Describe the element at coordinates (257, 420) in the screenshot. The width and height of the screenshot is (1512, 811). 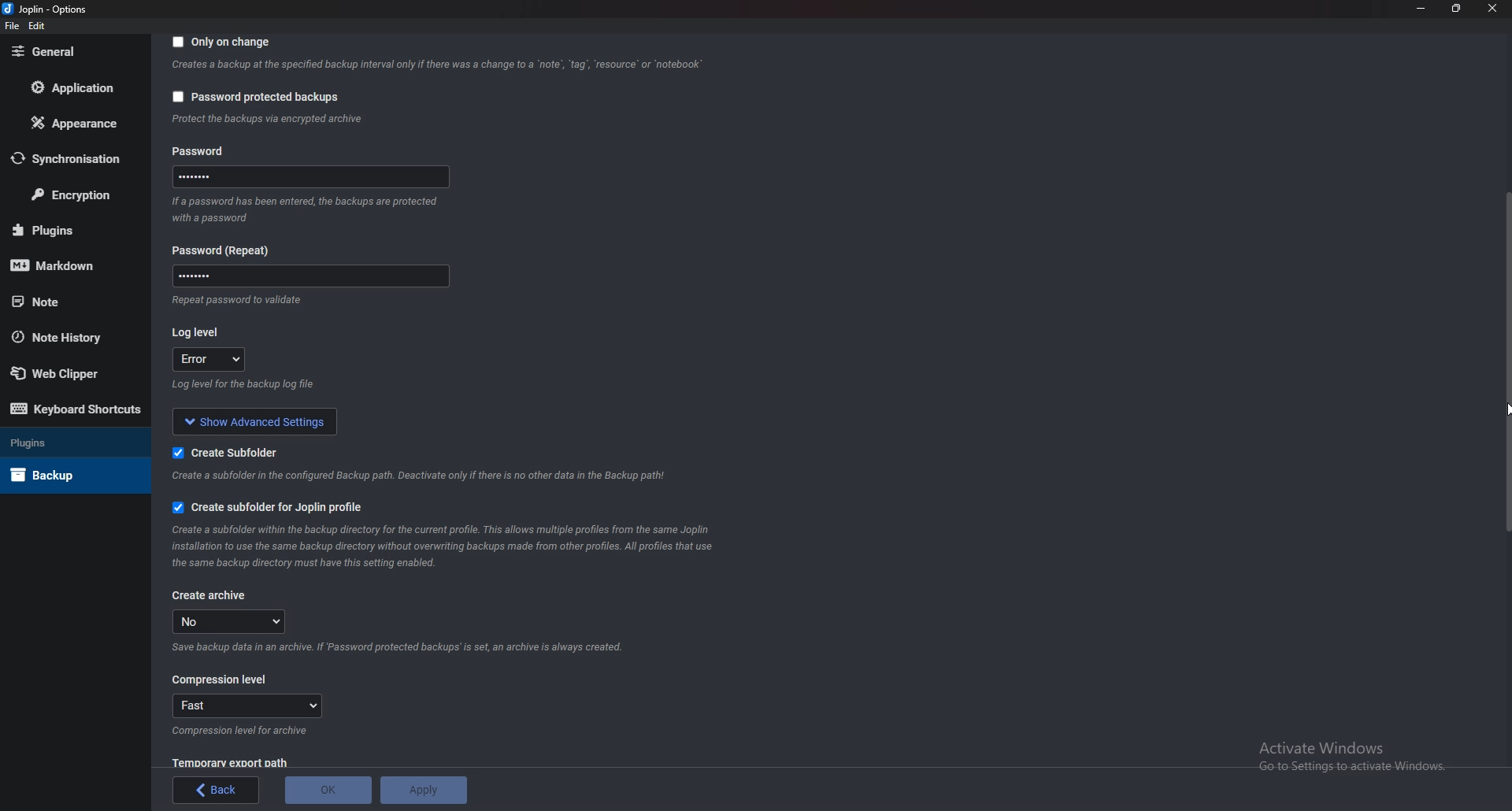
I see `Show advanced settings` at that location.